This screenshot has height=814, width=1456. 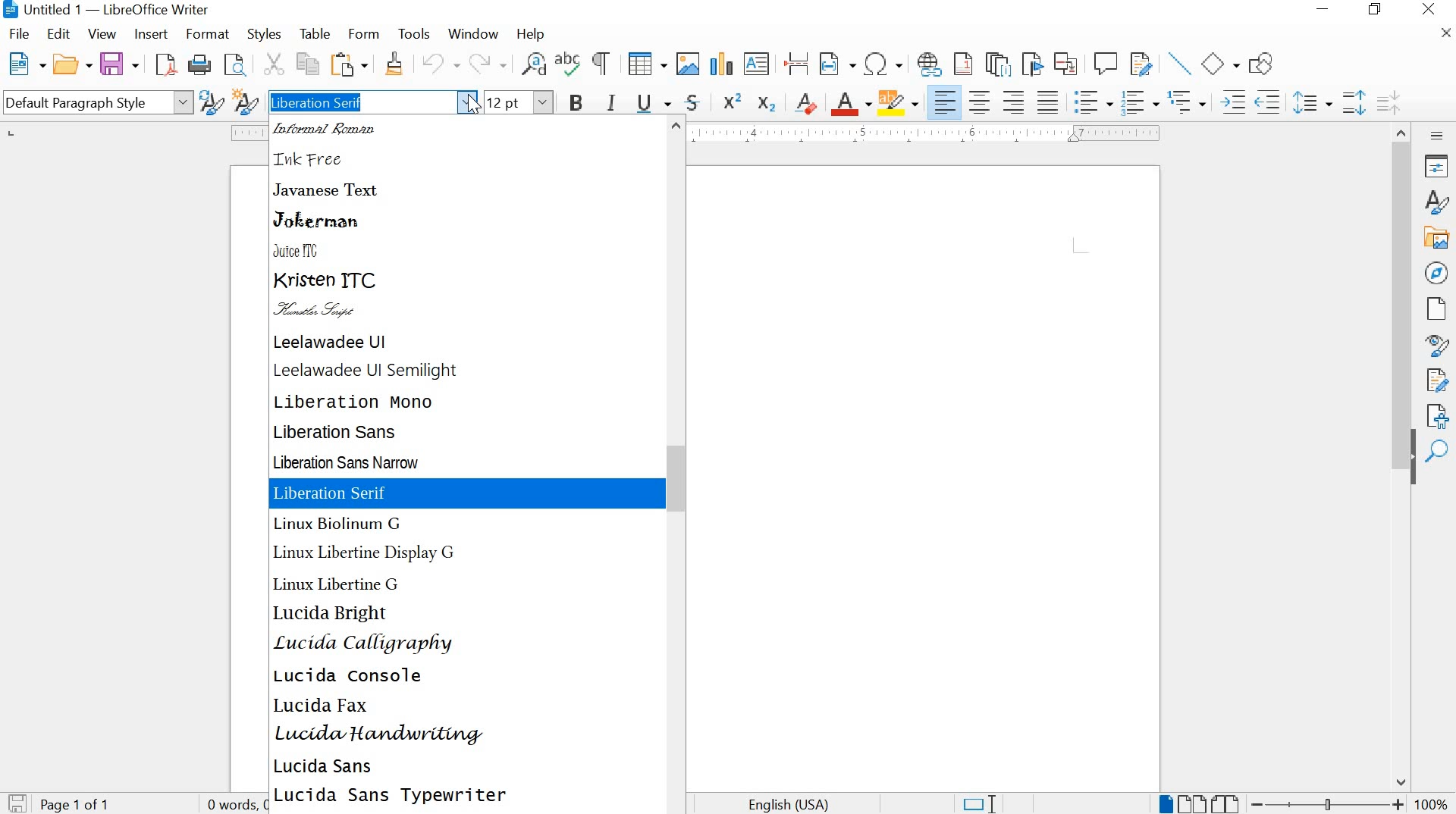 I want to click on INSERT BOOKMARK, so click(x=1033, y=65).